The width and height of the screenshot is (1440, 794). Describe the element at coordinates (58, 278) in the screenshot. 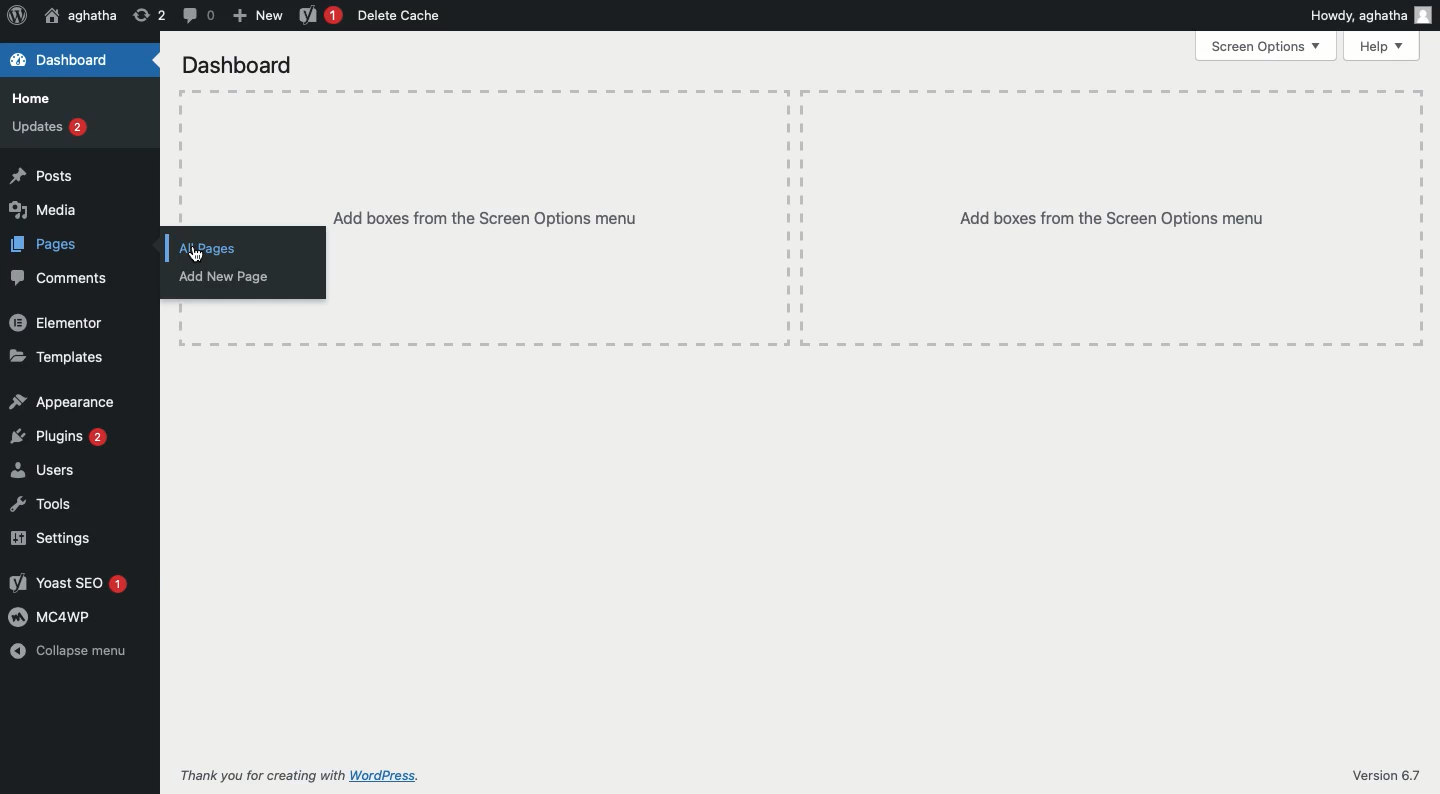

I see `Comments` at that location.